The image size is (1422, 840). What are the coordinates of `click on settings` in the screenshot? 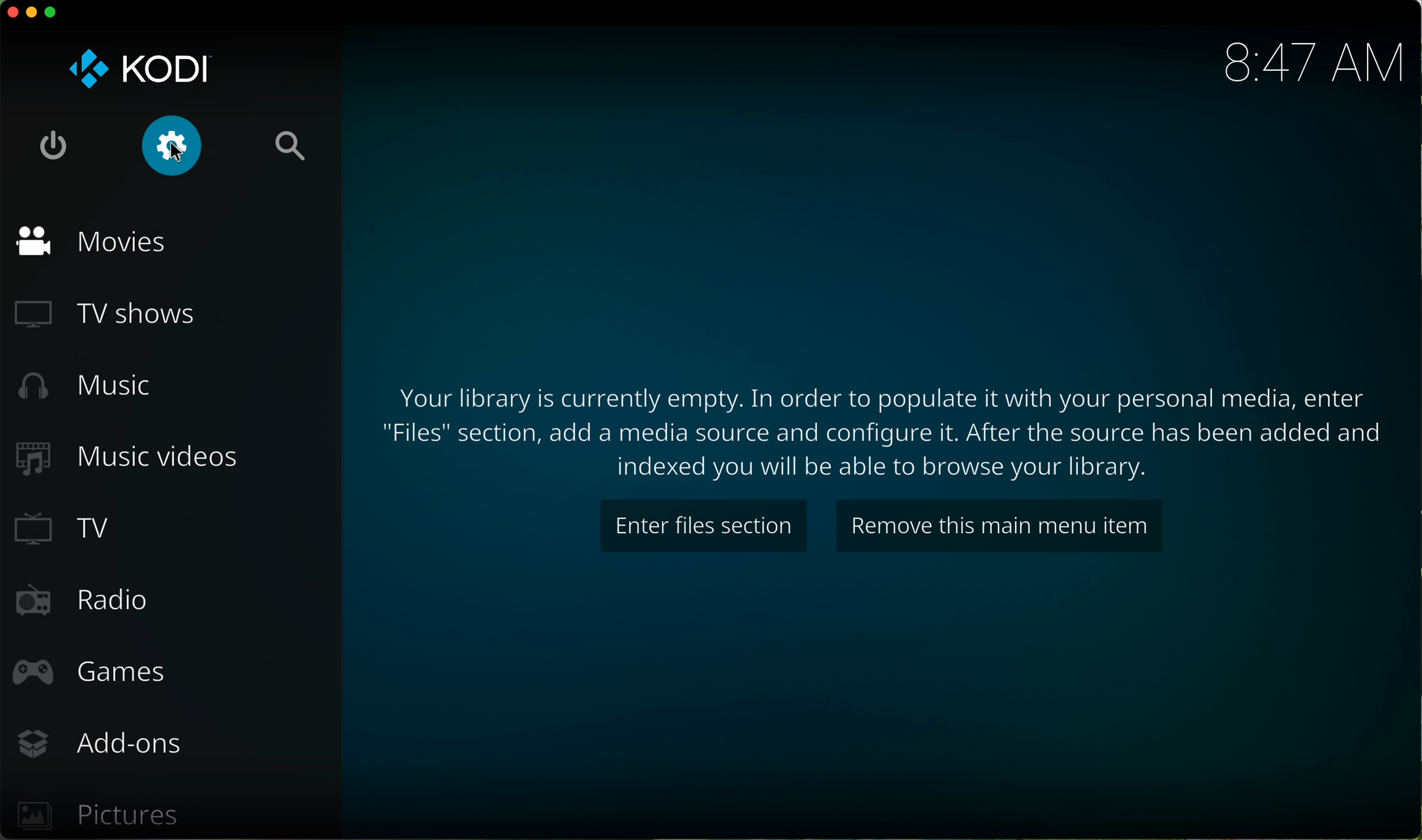 It's located at (170, 144).